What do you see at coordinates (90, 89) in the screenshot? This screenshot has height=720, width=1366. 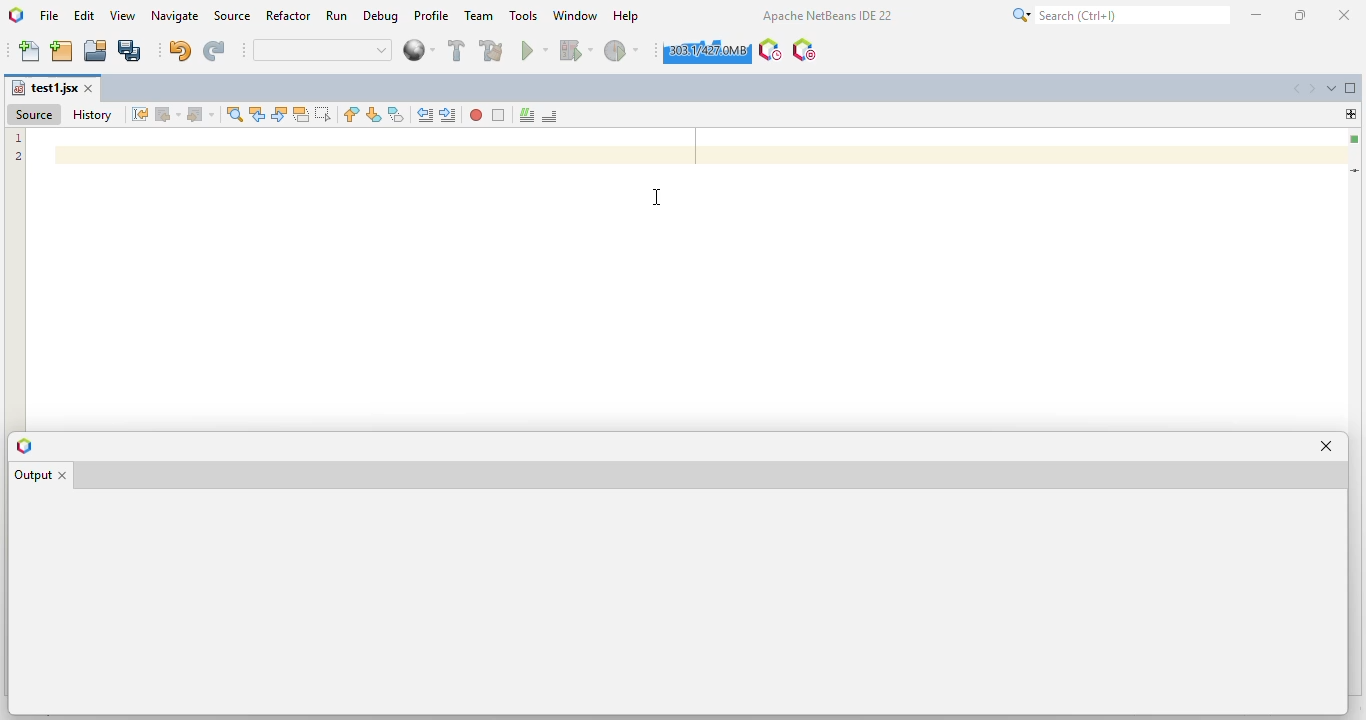 I see `close` at bounding box center [90, 89].